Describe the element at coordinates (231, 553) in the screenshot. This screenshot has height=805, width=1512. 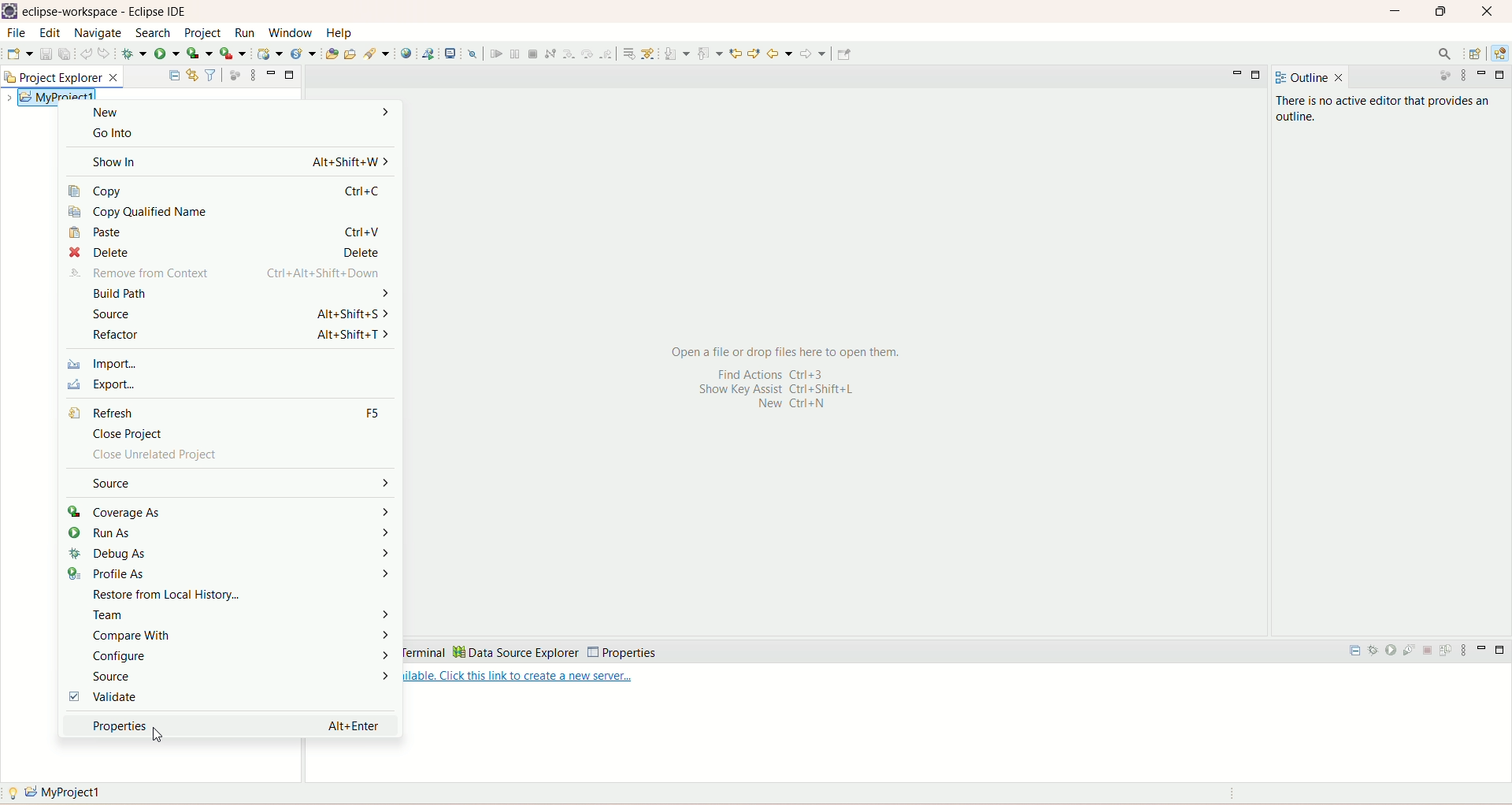
I see `debug as` at that location.